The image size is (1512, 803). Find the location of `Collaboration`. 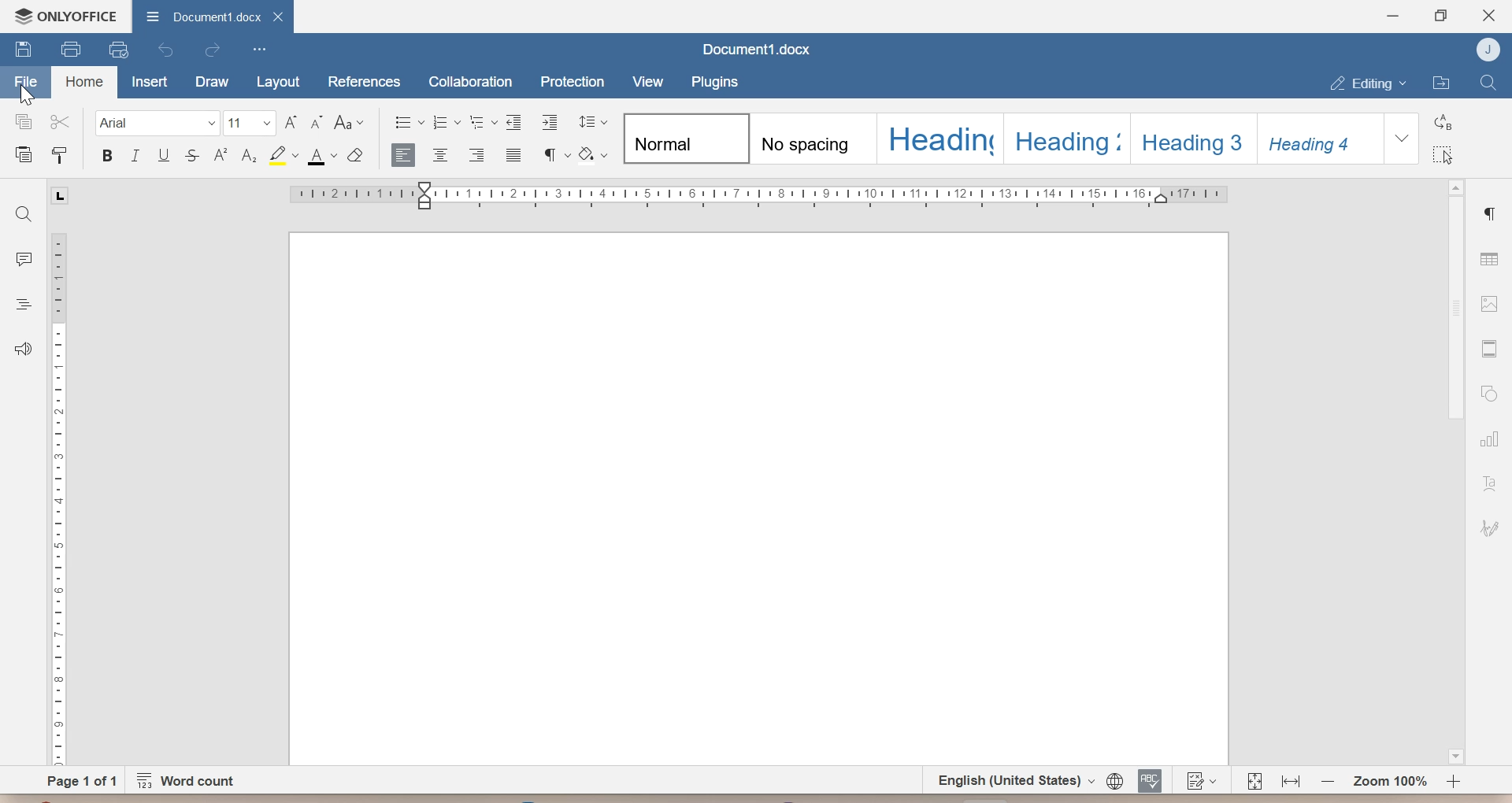

Collaboration is located at coordinates (472, 80).